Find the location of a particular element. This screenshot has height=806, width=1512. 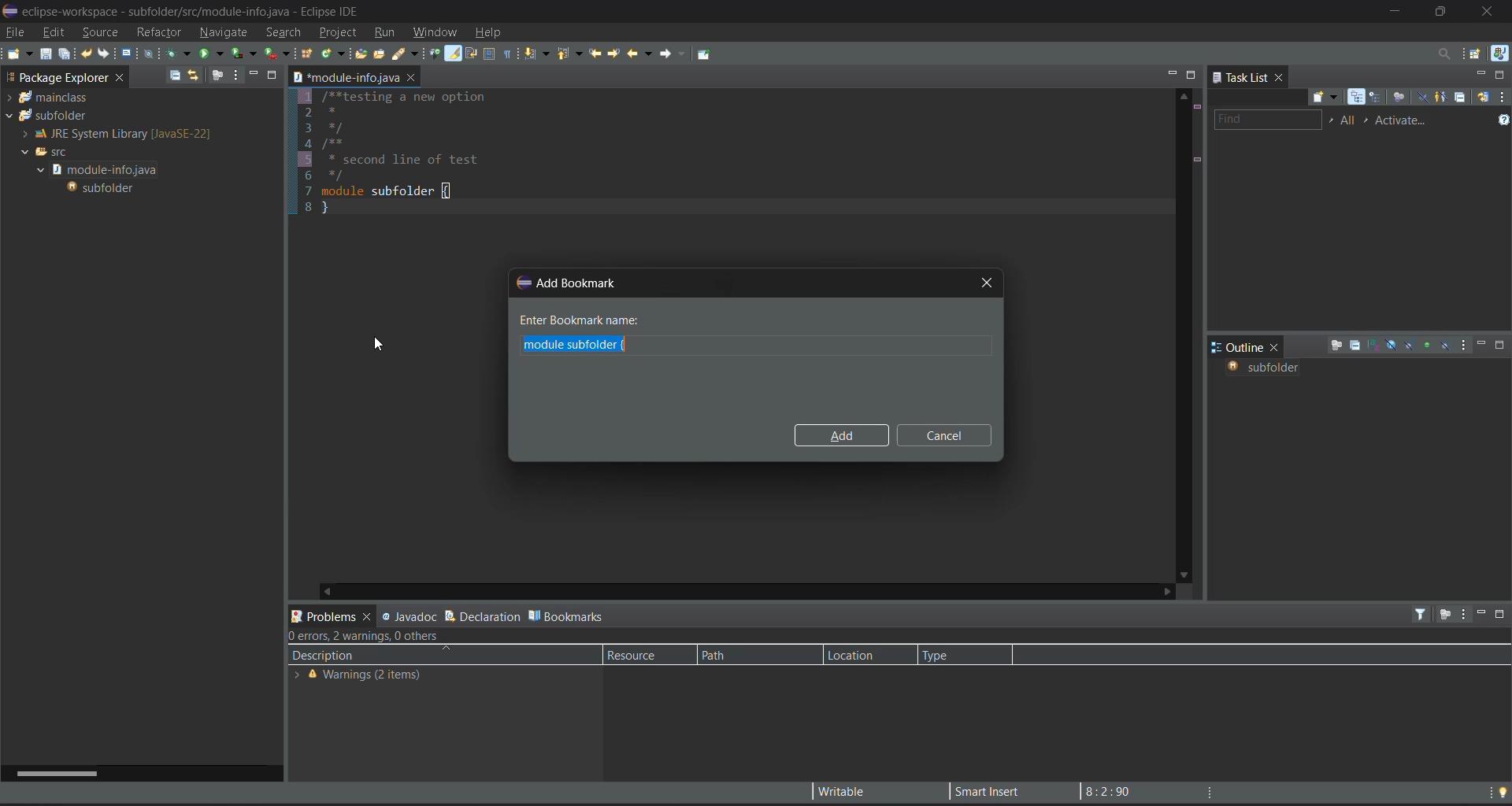

minimize is located at coordinates (1481, 74).